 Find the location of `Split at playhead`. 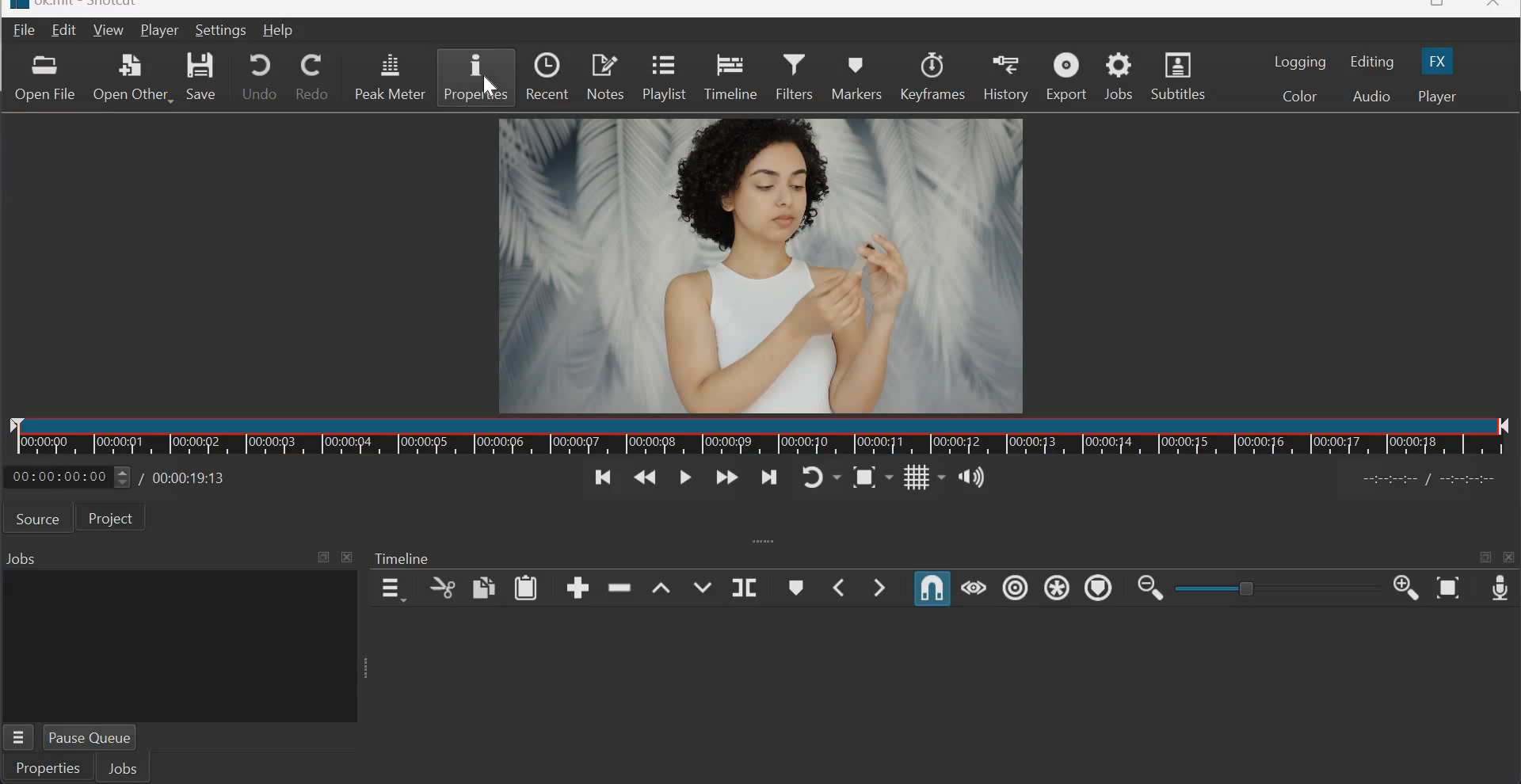

Split at playhead is located at coordinates (744, 586).